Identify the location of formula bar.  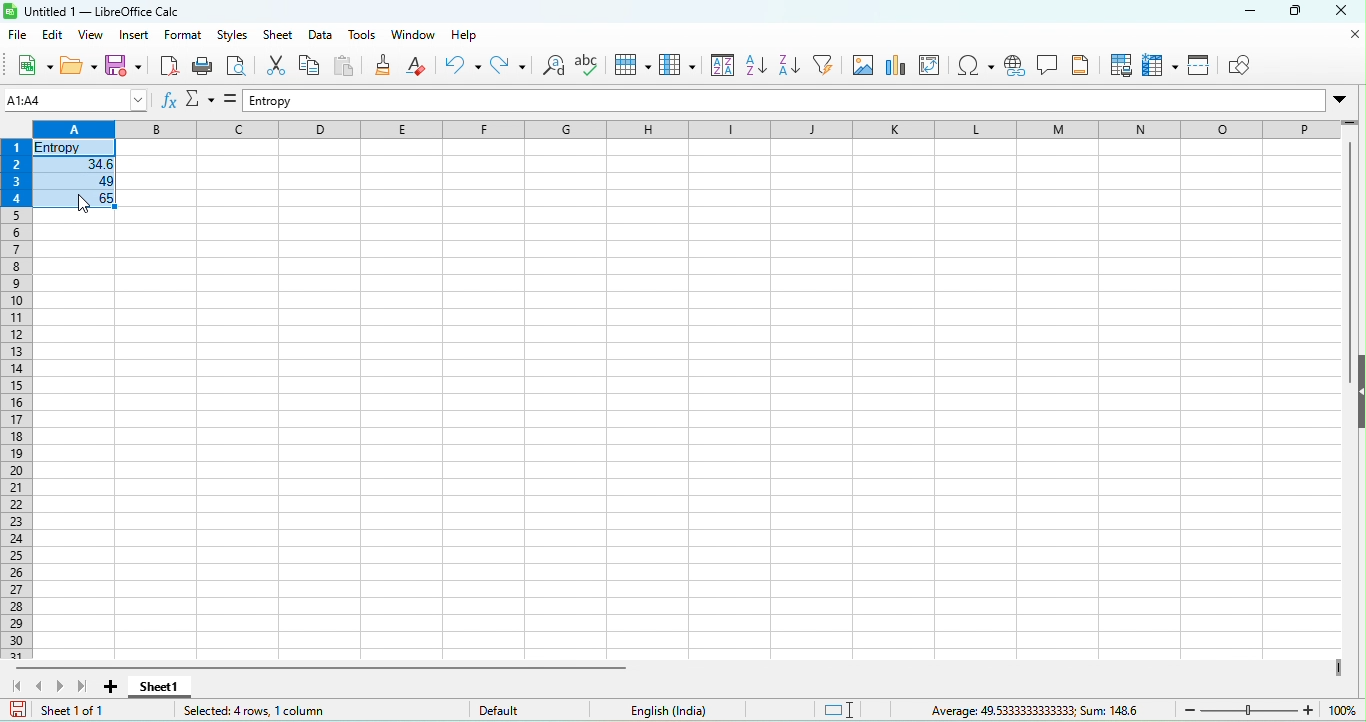
(783, 102).